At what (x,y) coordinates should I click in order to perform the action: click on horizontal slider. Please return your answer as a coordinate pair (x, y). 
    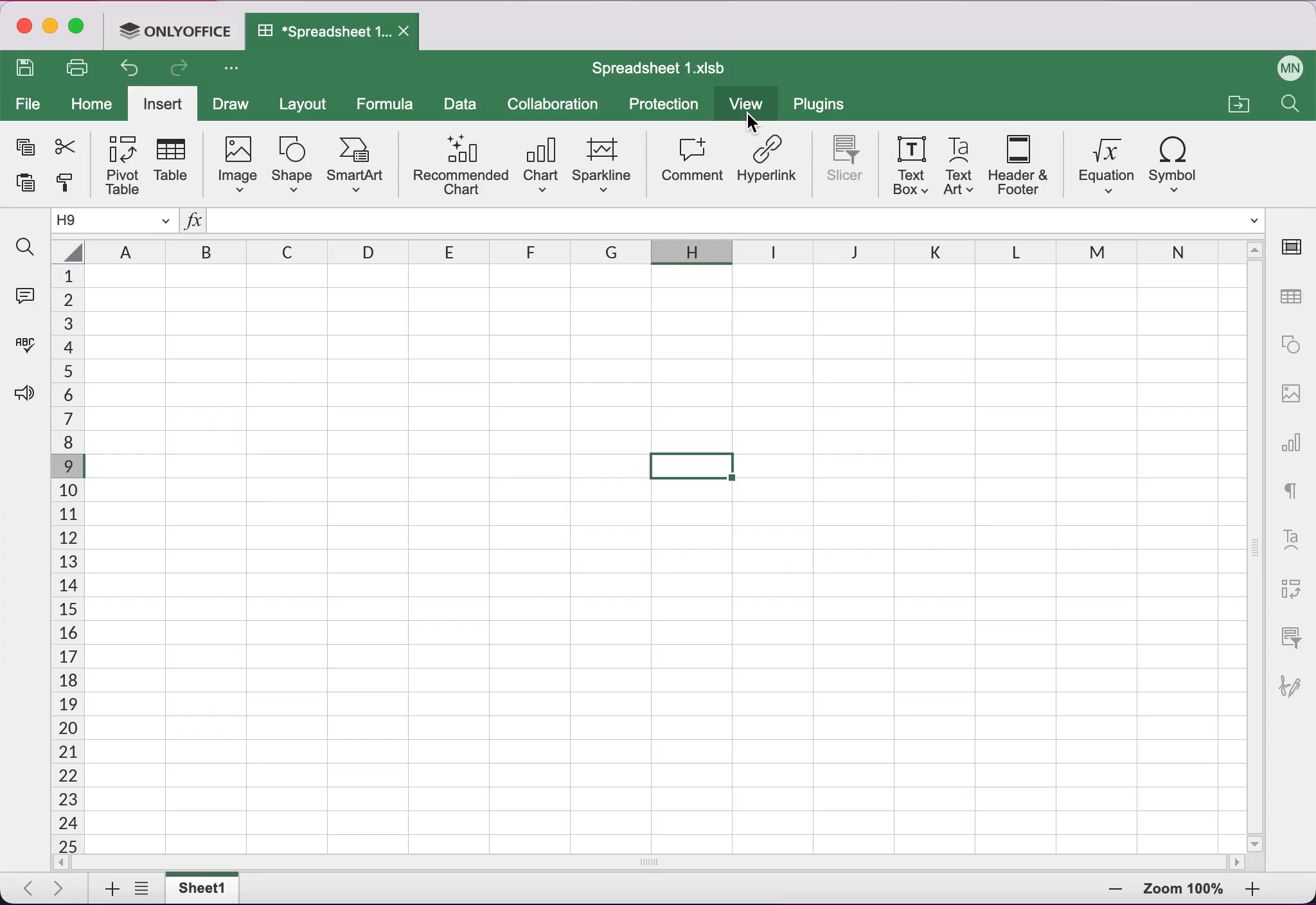
    Looking at the image, I should click on (654, 863).